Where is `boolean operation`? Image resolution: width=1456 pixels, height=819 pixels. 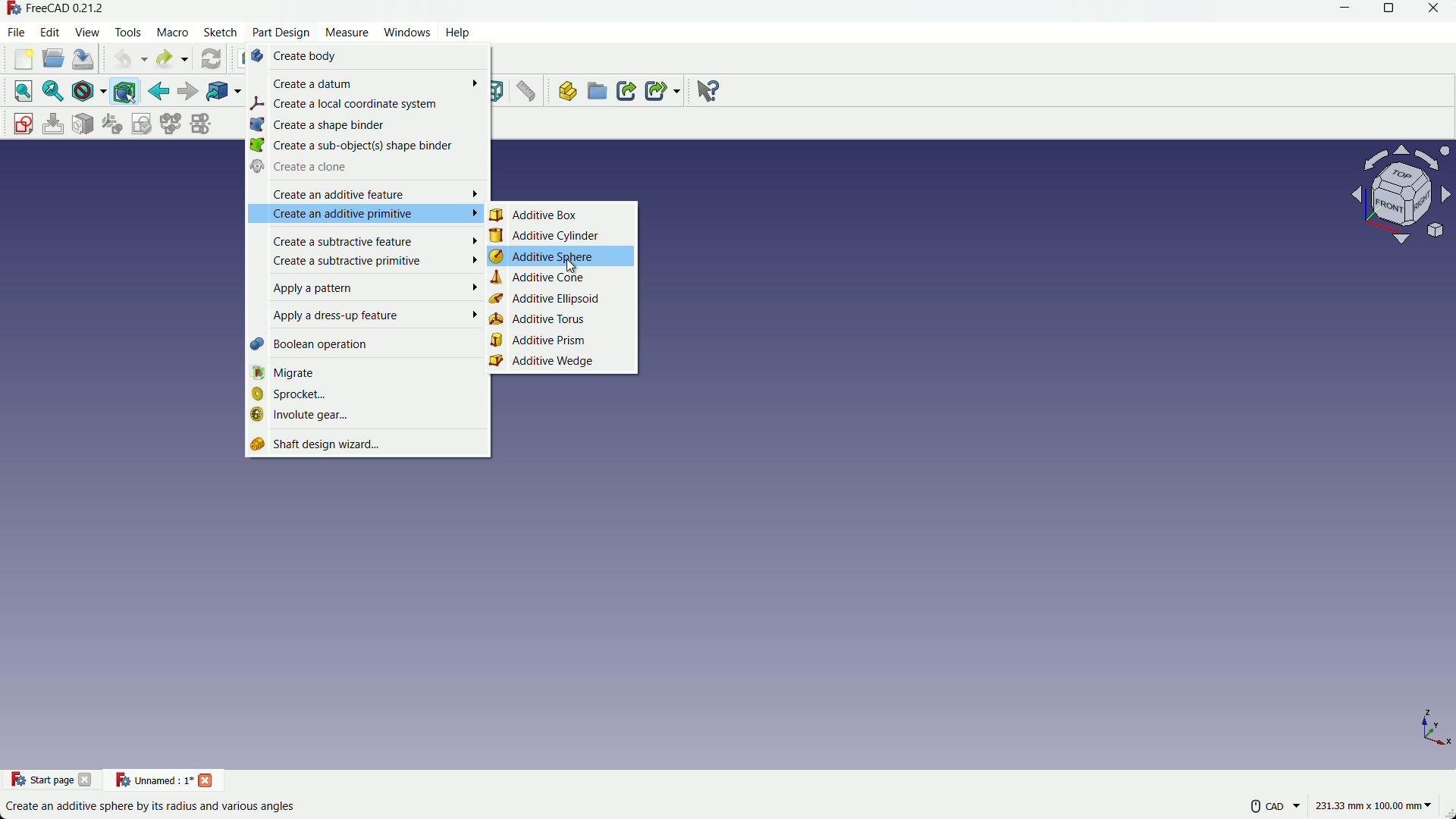 boolean operation is located at coordinates (368, 347).